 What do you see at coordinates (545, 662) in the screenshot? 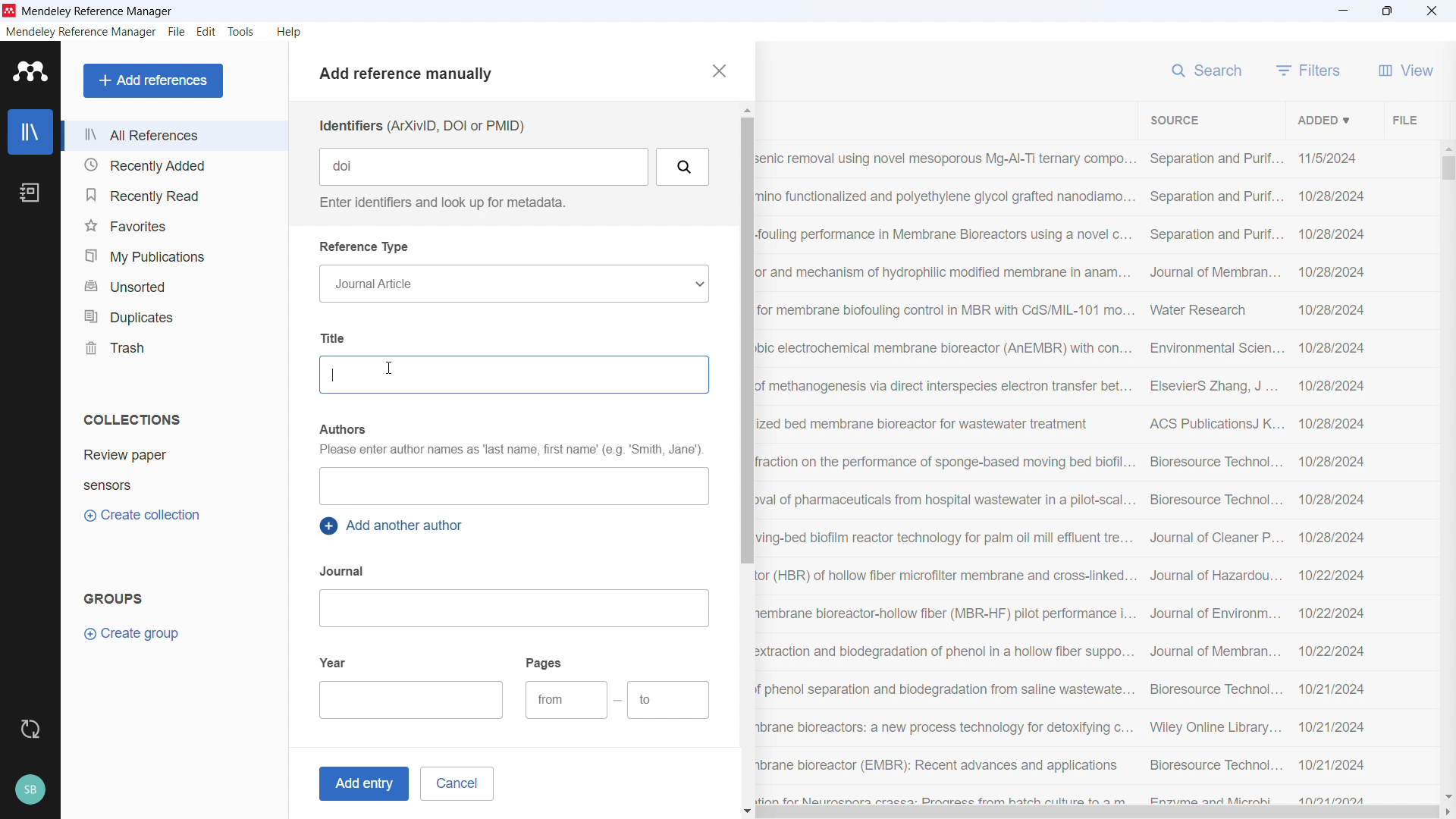
I see `pages` at bounding box center [545, 662].